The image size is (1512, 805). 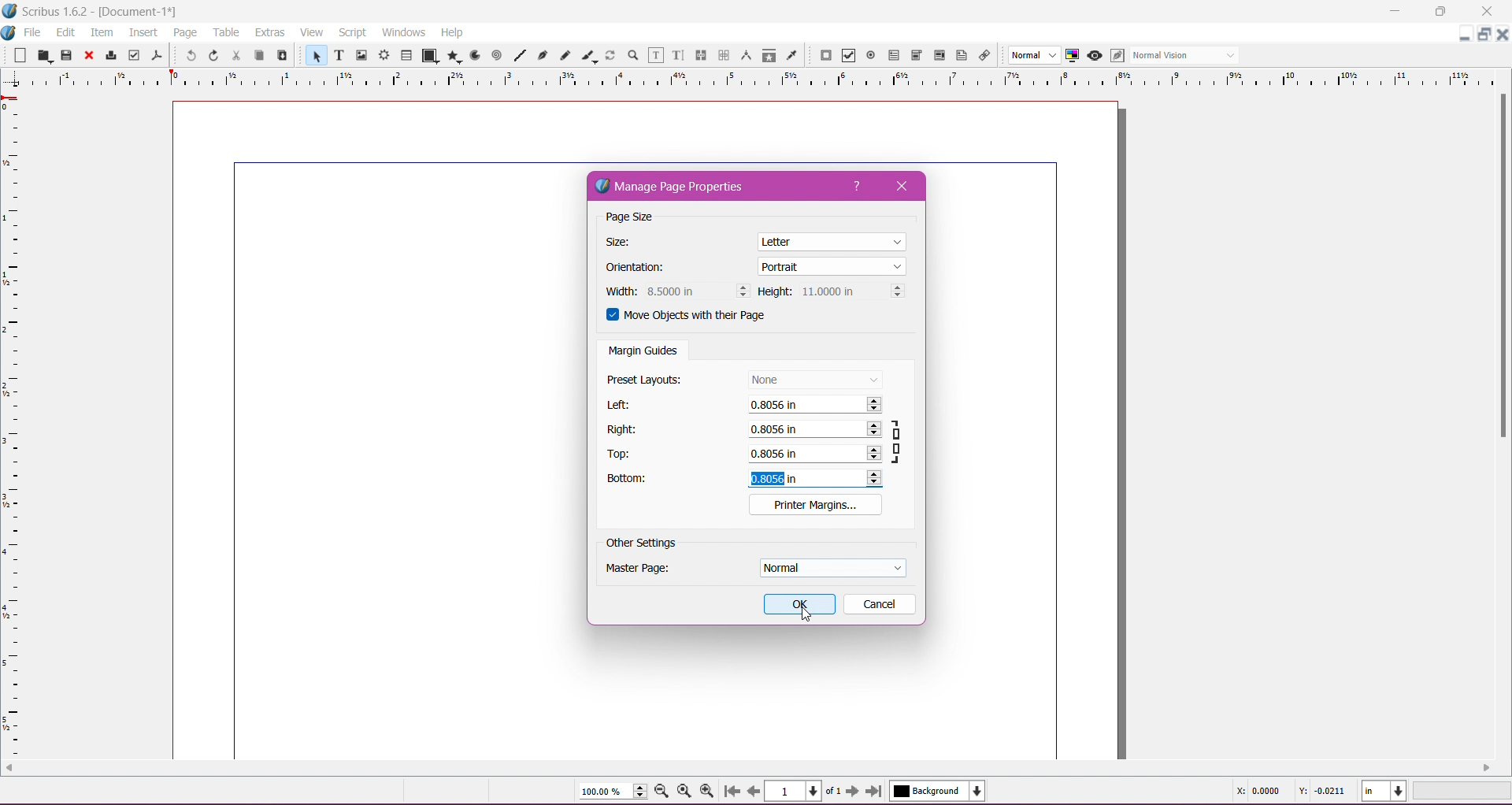 What do you see at coordinates (1485, 34) in the screenshot?
I see `Restore Down Document` at bounding box center [1485, 34].